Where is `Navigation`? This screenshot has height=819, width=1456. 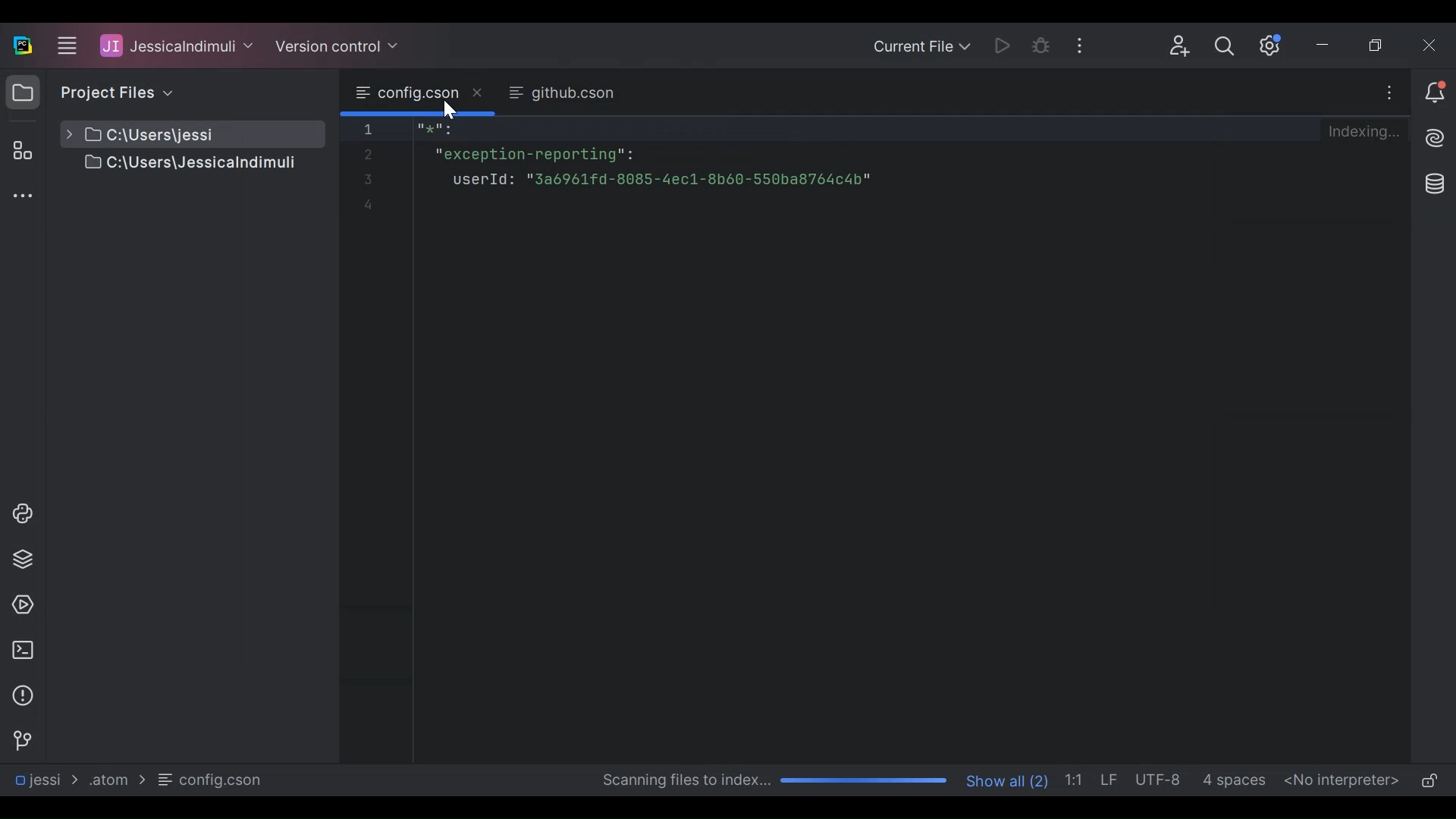 Navigation is located at coordinates (21, 741).